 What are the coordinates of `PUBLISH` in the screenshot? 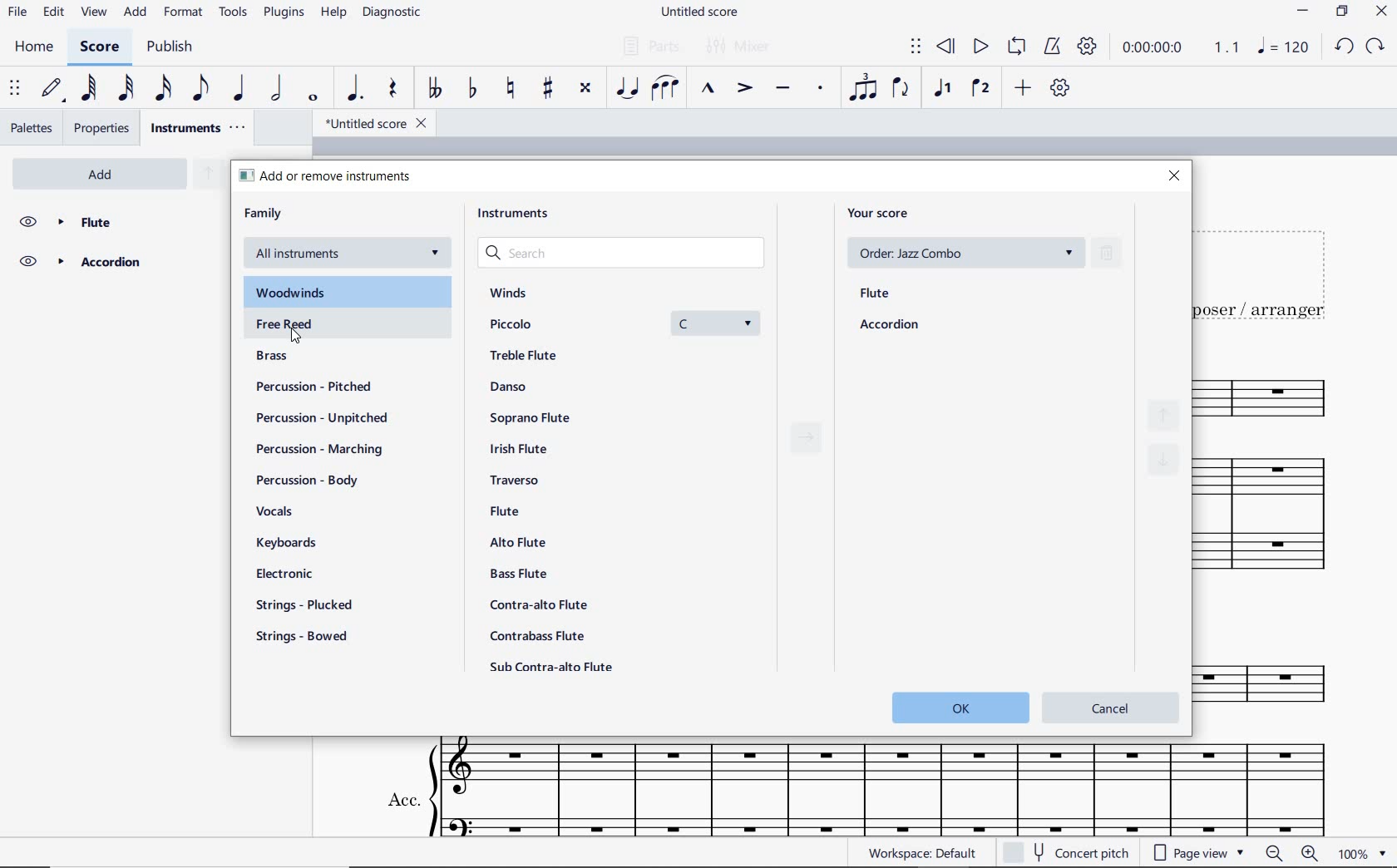 It's located at (172, 47).